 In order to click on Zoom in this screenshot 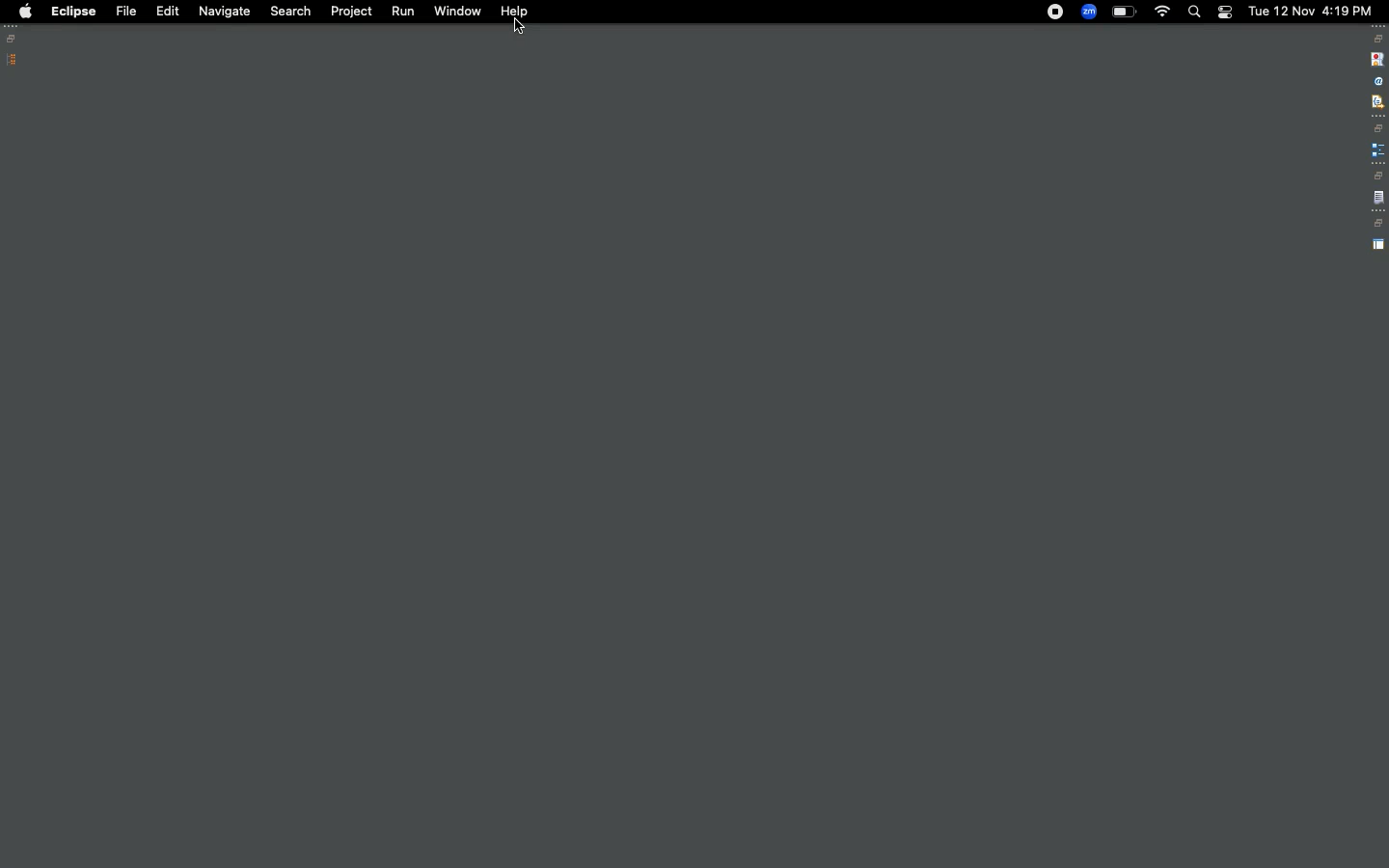, I will do `click(1088, 12)`.